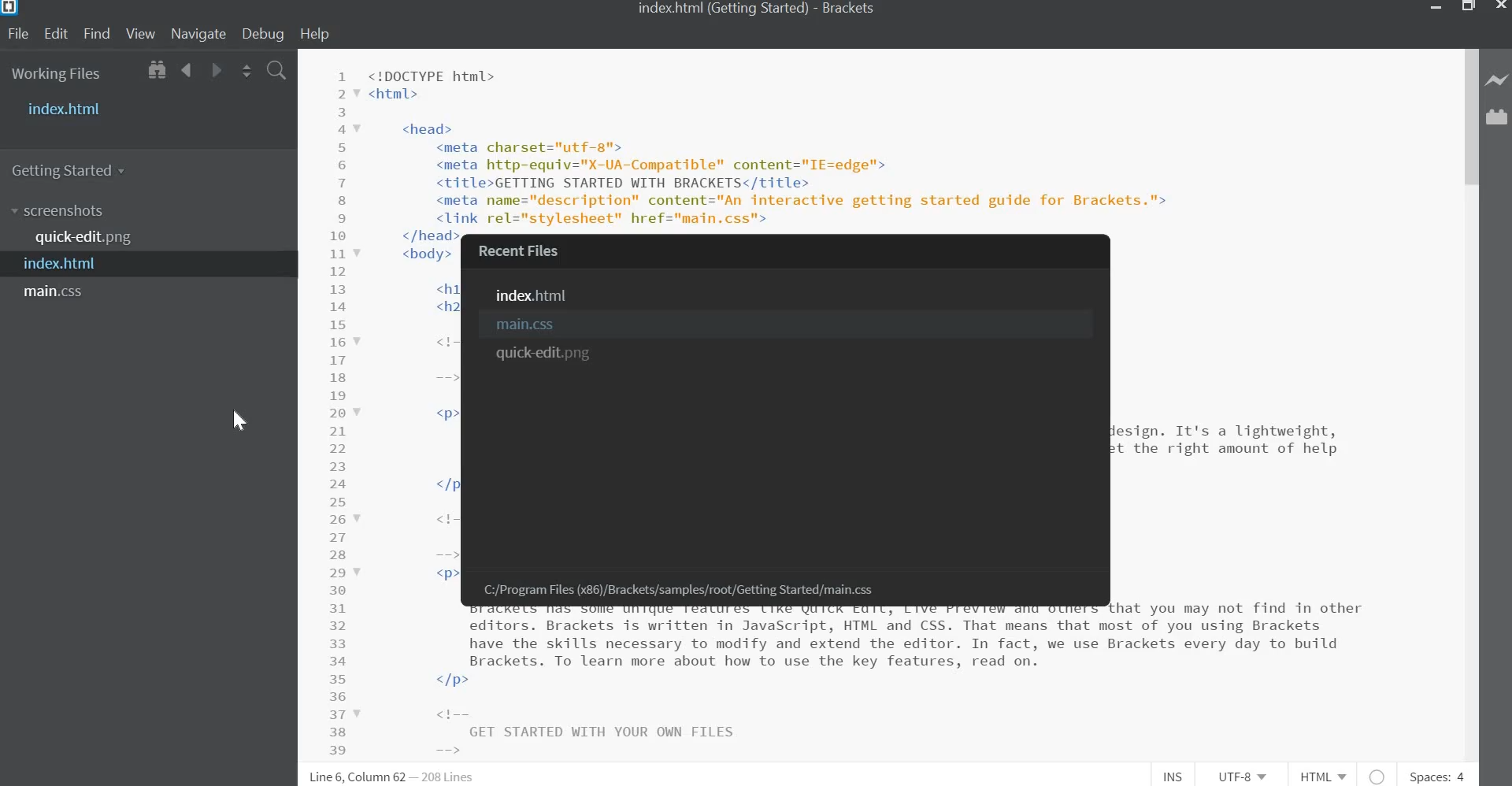  I want to click on Index.html file, so click(68, 265).